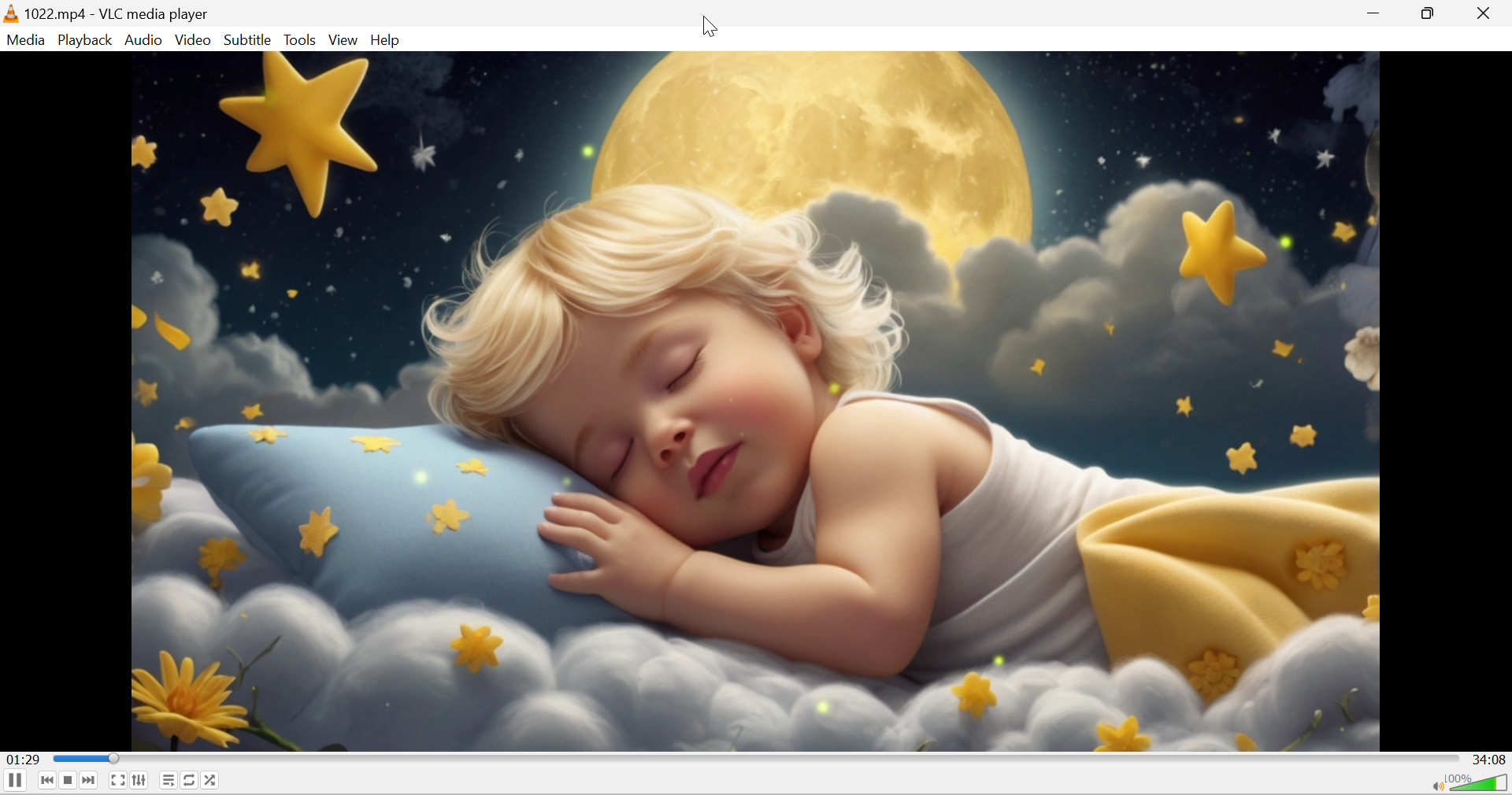 The image size is (1512, 795). What do you see at coordinates (299, 40) in the screenshot?
I see `Tools` at bounding box center [299, 40].